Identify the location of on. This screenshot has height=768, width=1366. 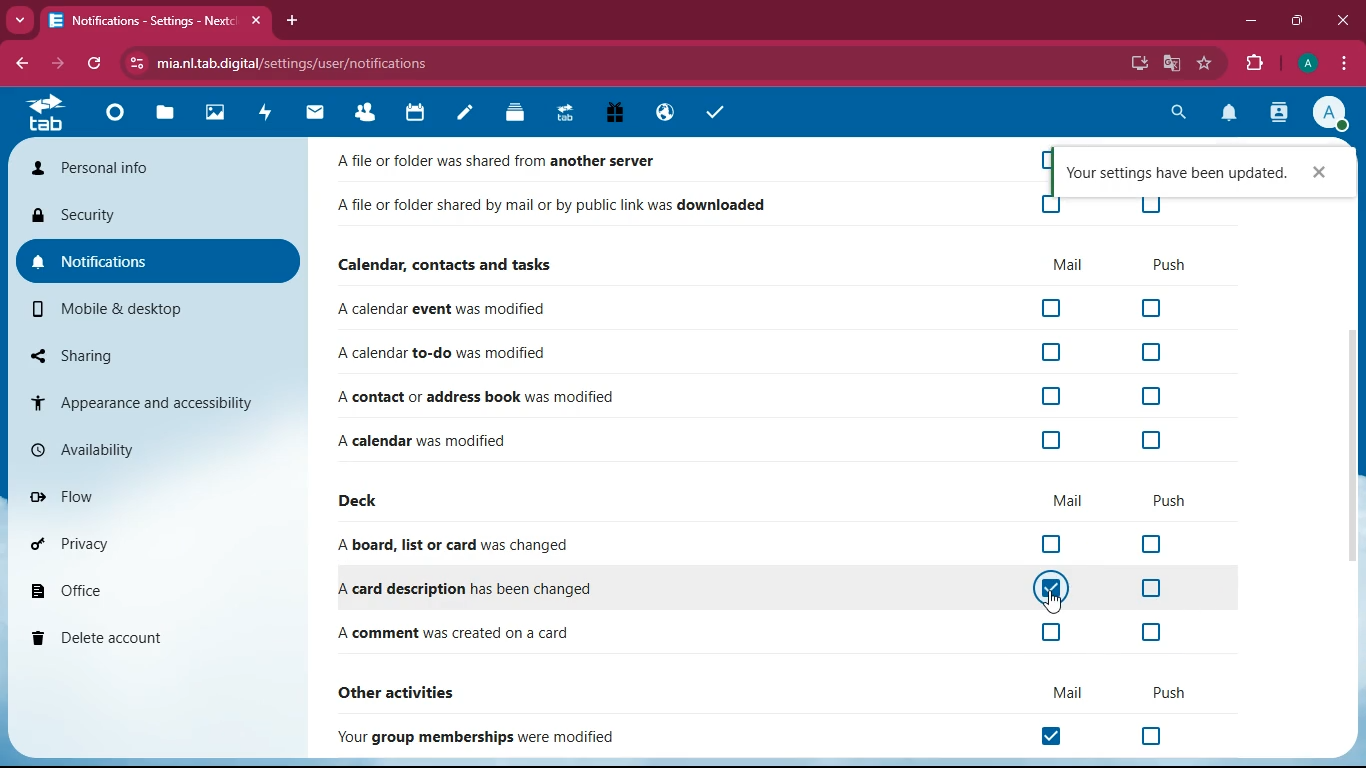
(1054, 588).